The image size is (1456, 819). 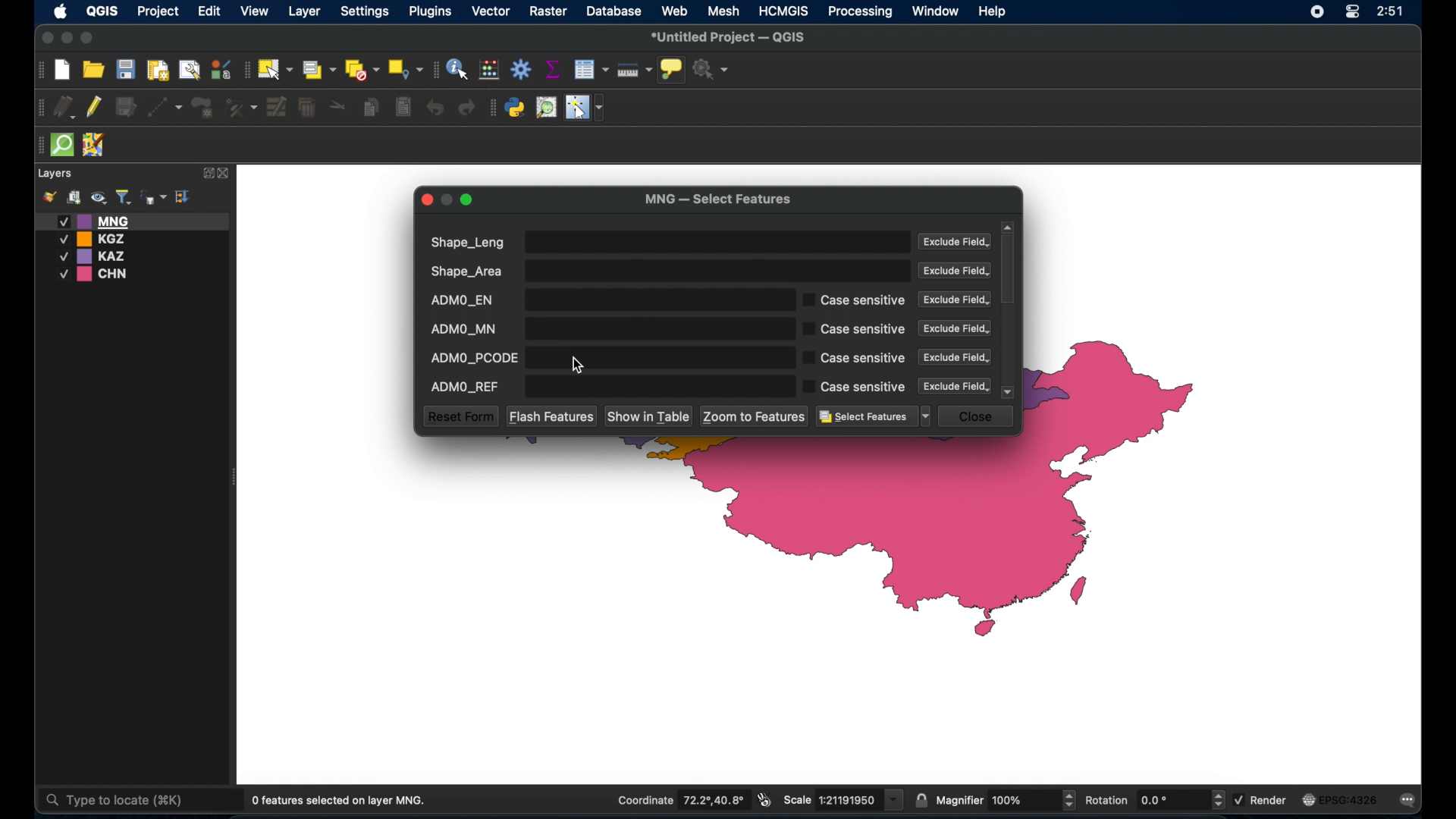 I want to click on add polygon feature, so click(x=204, y=106).